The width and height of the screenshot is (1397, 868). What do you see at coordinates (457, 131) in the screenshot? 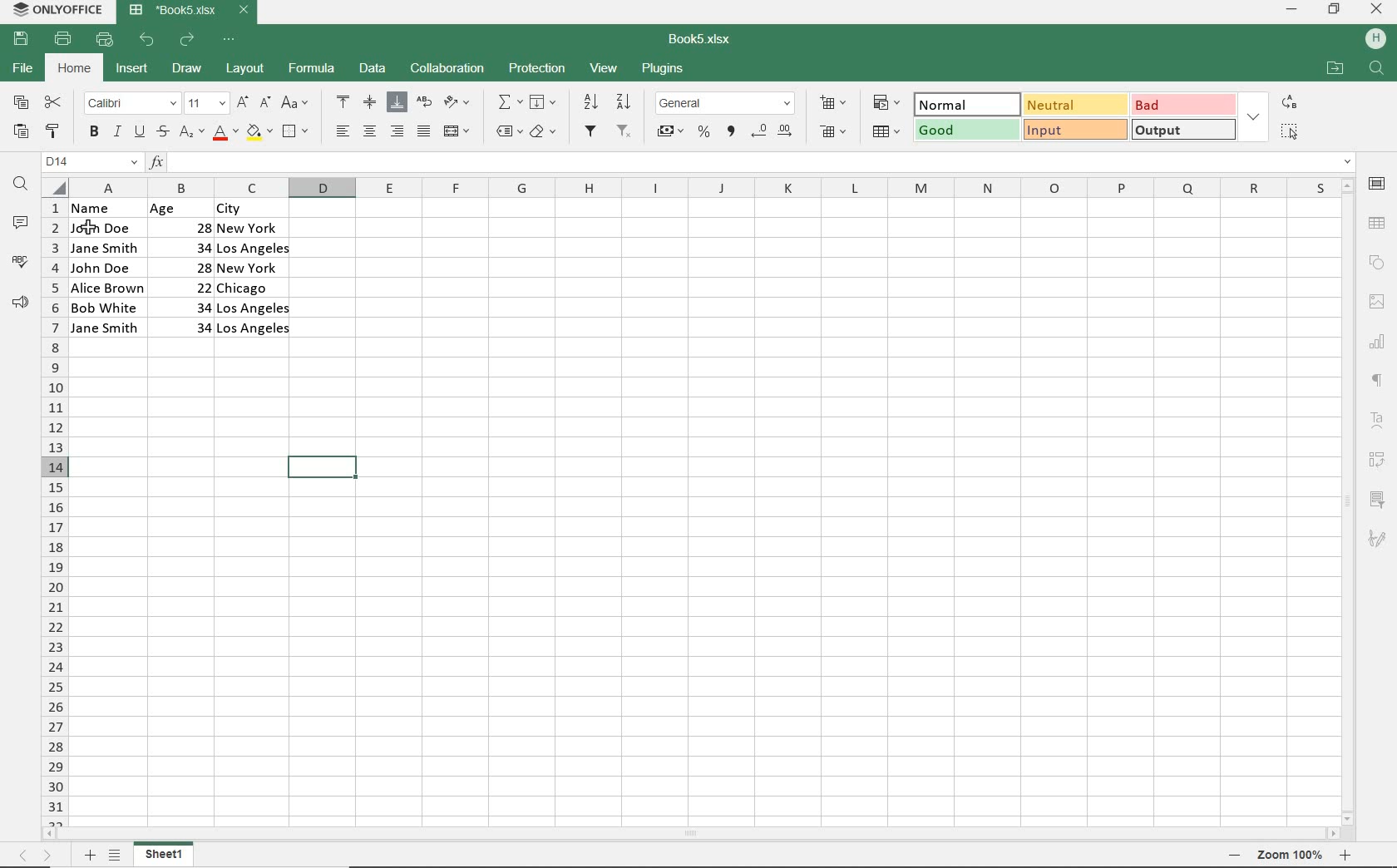
I see `MERGE & CENTER` at bounding box center [457, 131].